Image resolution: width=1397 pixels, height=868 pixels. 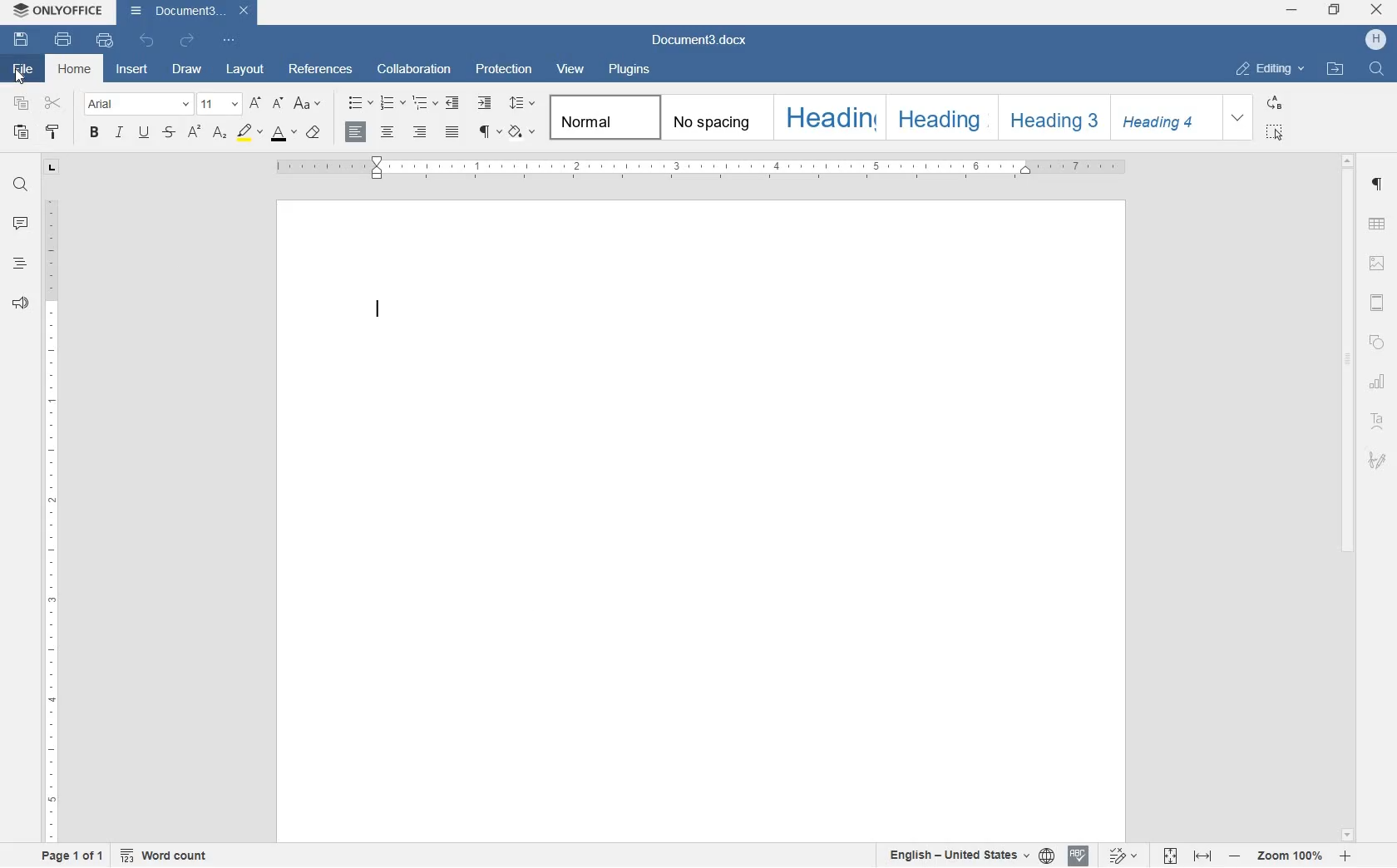 What do you see at coordinates (21, 42) in the screenshot?
I see `save` at bounding box center [21, 42].